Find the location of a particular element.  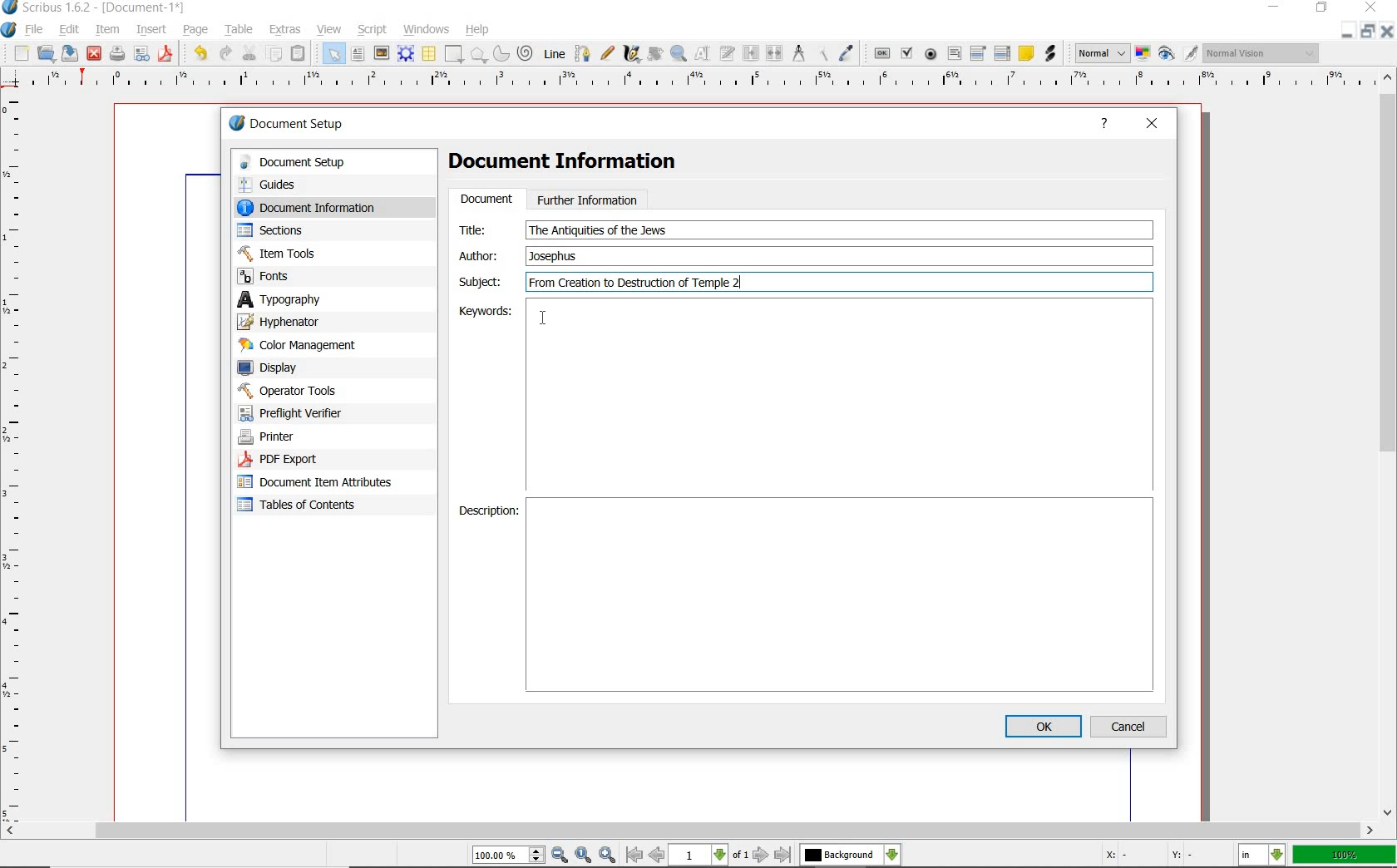

select the current unit is located at coordinates (1261, 855).